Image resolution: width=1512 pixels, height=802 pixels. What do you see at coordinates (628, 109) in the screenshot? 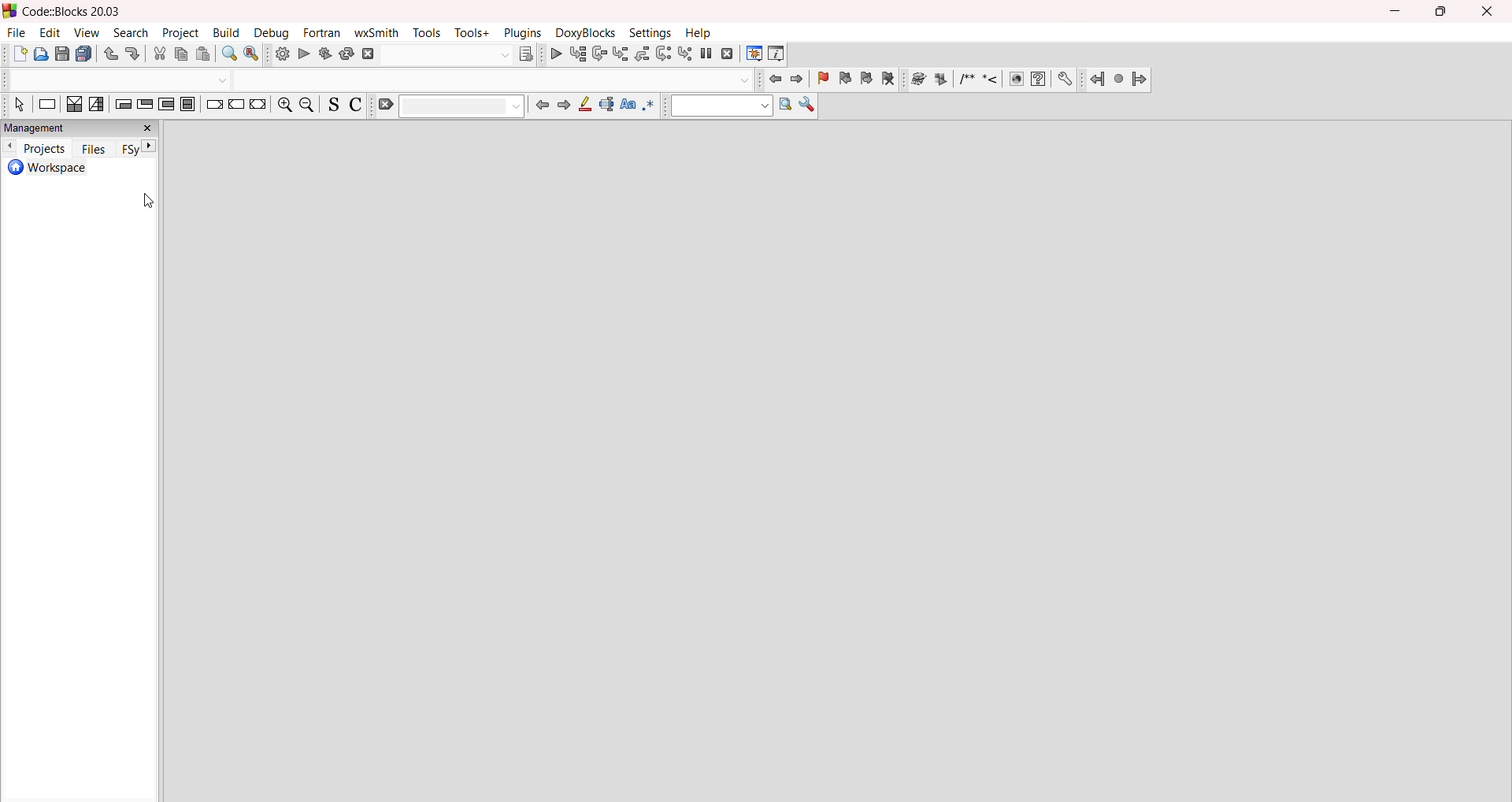
I see `match case` at bounding box center [628, 109].